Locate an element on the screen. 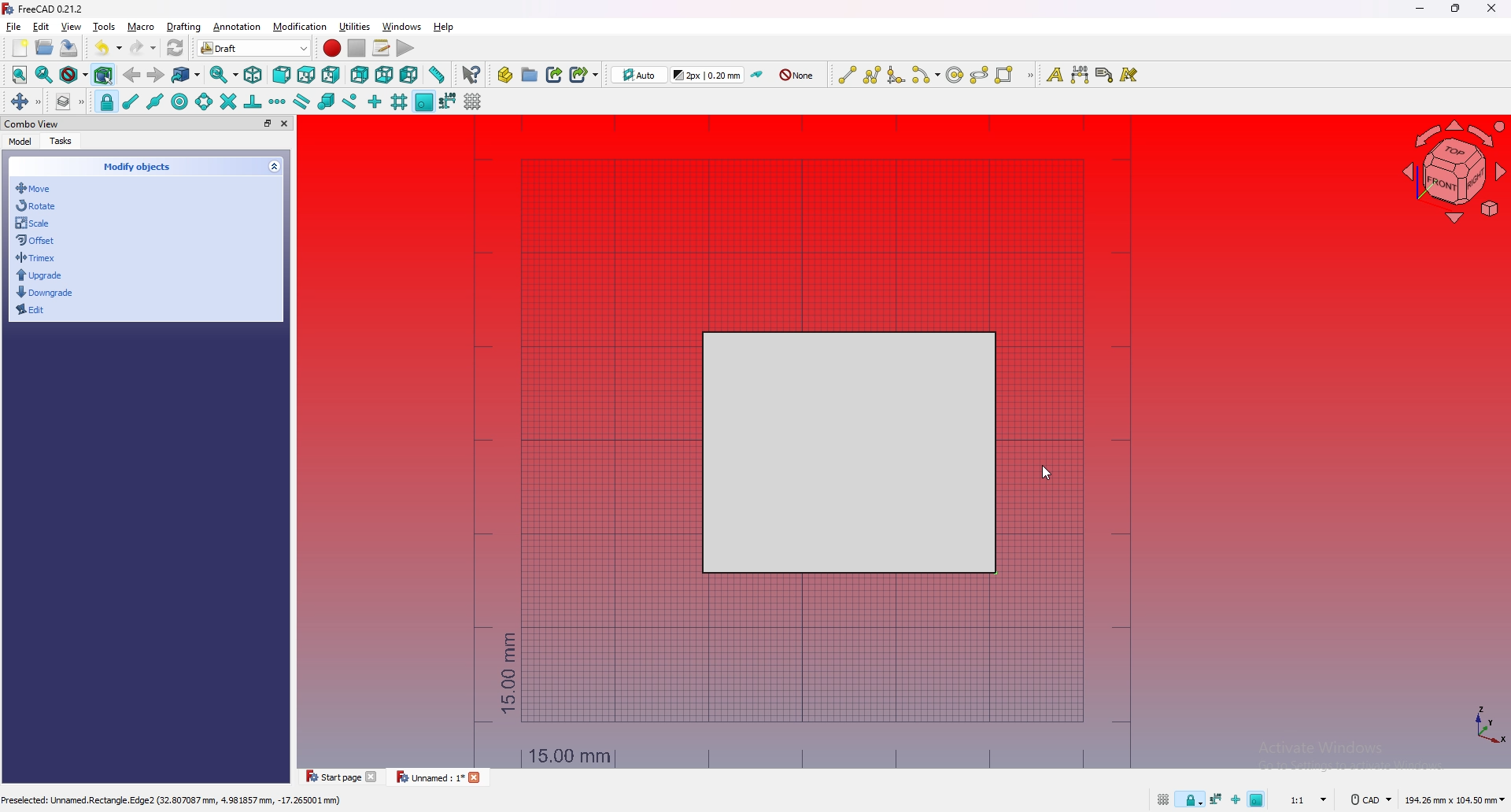 Image resolution: width=1511 pixels, height=812 pixels. snap lock is located at coordinates (106, 101).